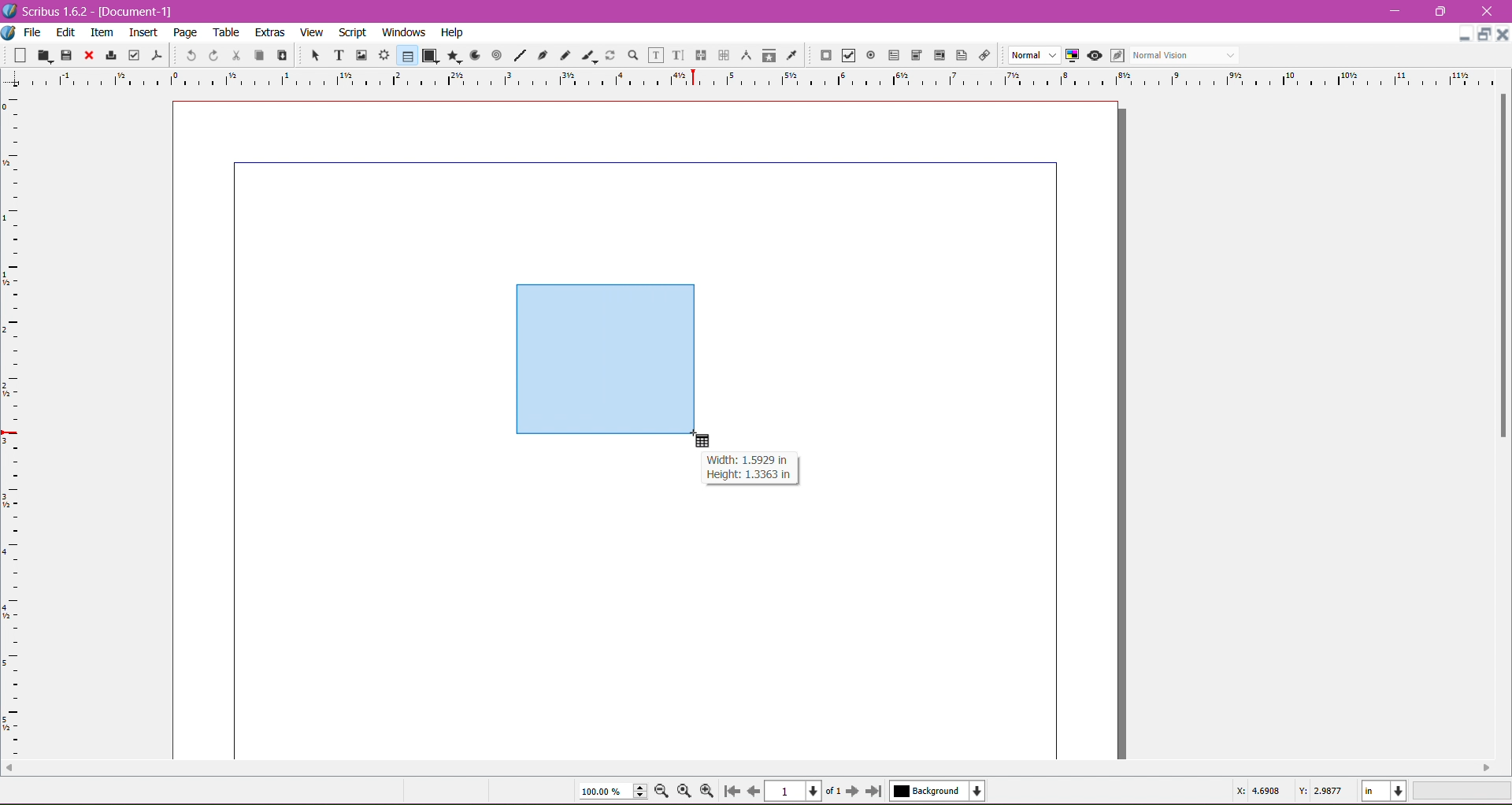 The image size is (1512, 805). What do you see at coordinates (473, 54) in the screenshot?
I see `Arc` at bounding box center [473, 54].